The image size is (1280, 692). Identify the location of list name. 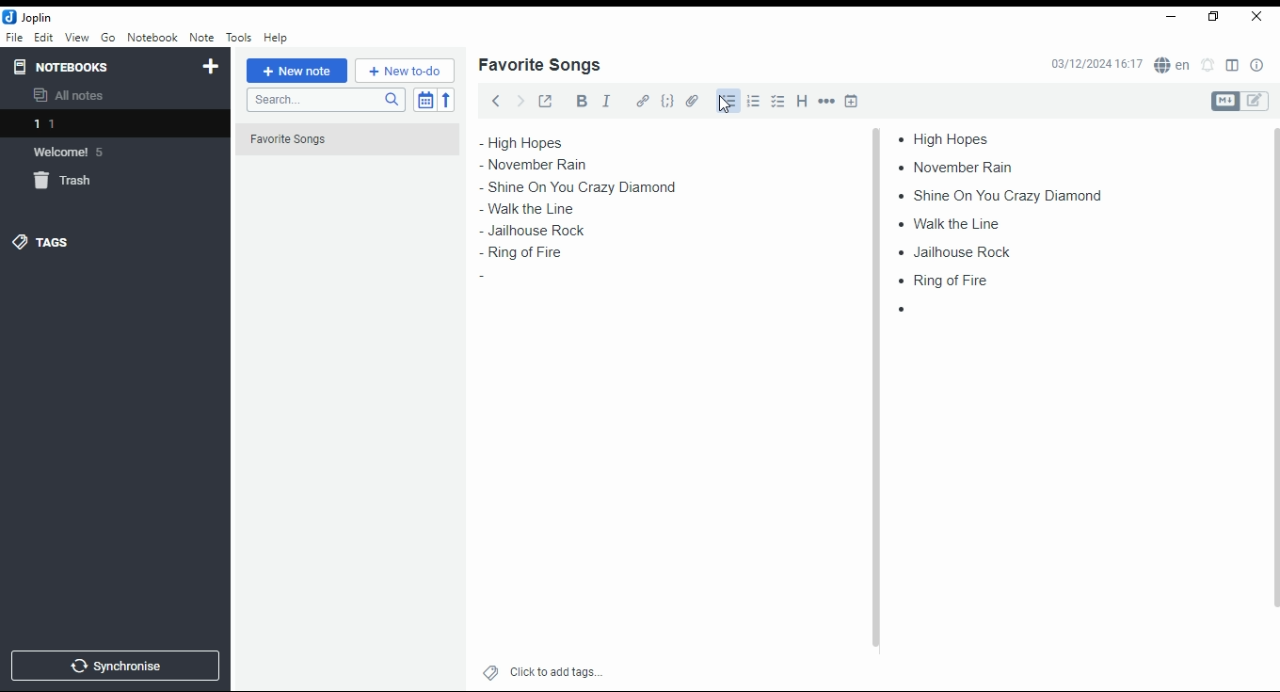
(539, 66).